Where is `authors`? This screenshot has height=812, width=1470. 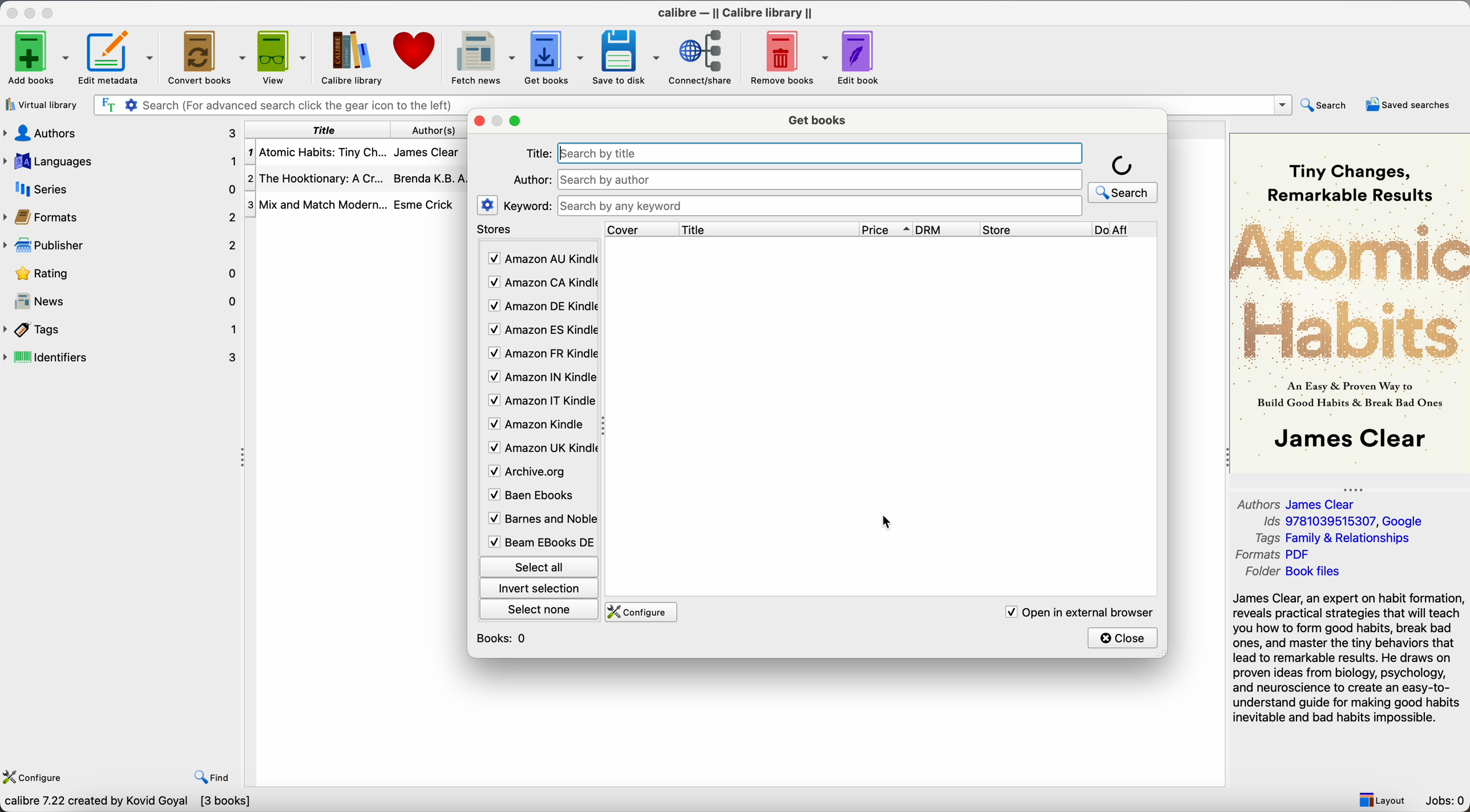
authors is located at coordinates (122, 132).